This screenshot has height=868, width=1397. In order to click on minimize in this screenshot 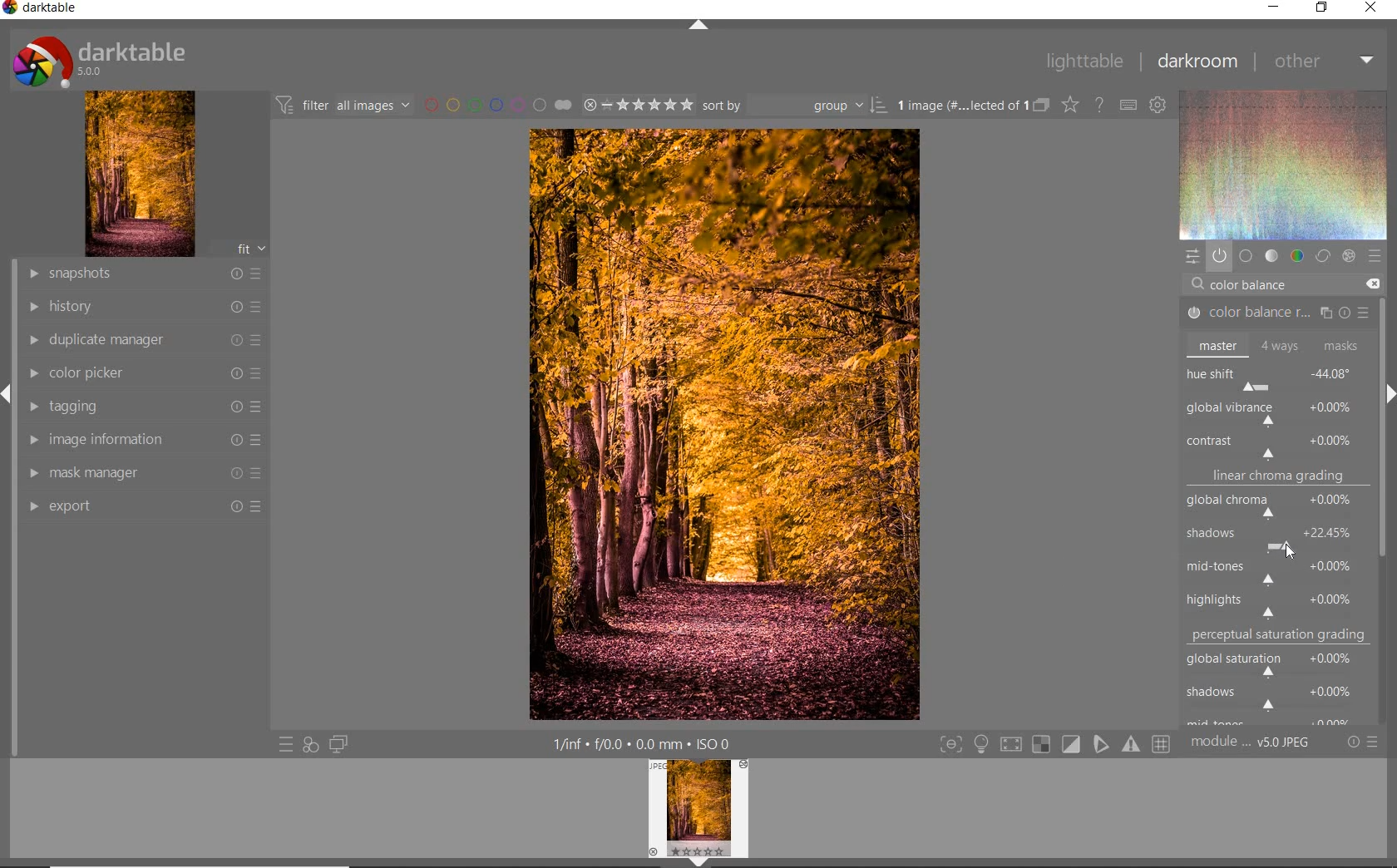, I will do `click(1275, 6)`.